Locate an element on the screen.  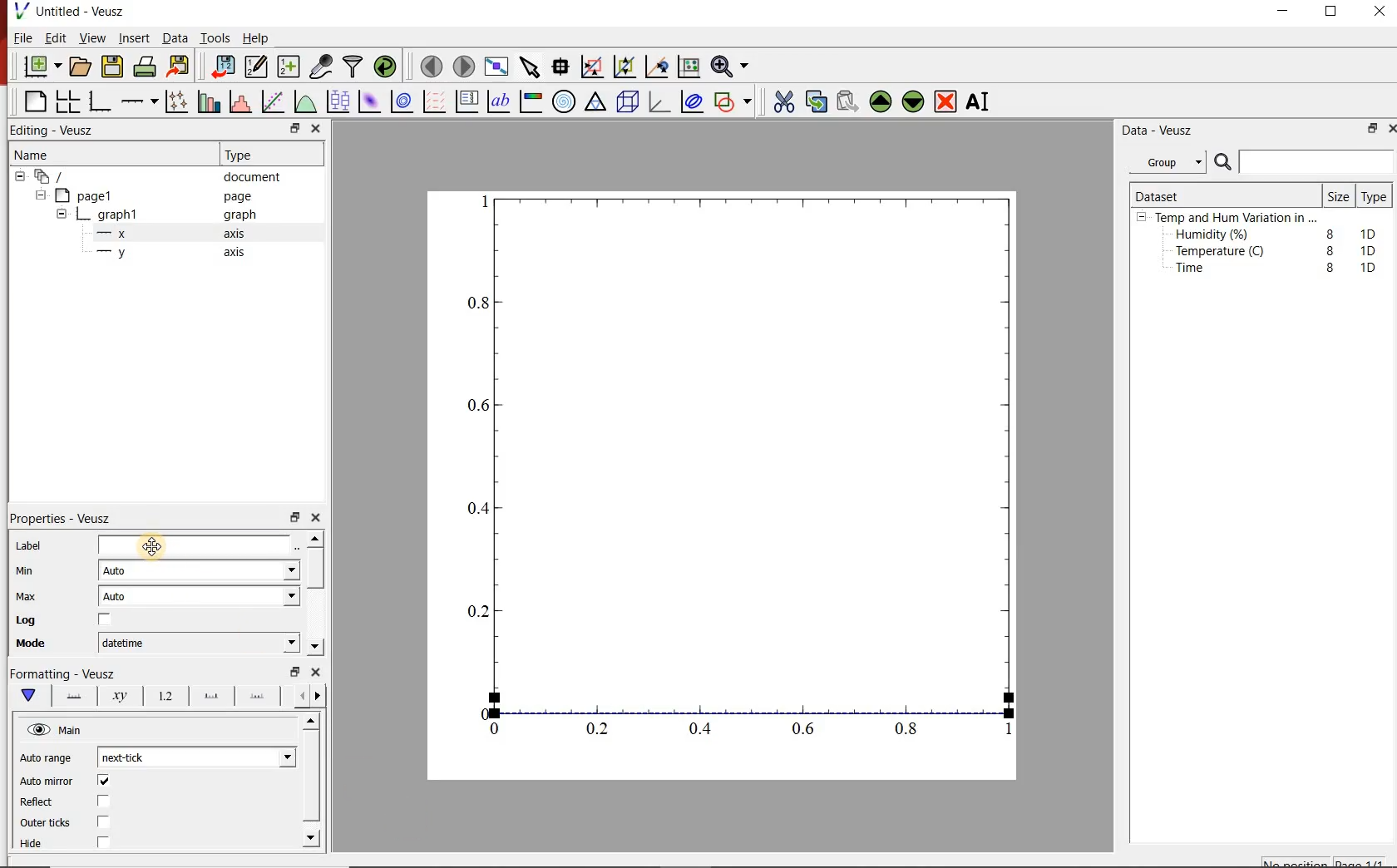
click to reset graph axes is located at coordinates (686, 67).